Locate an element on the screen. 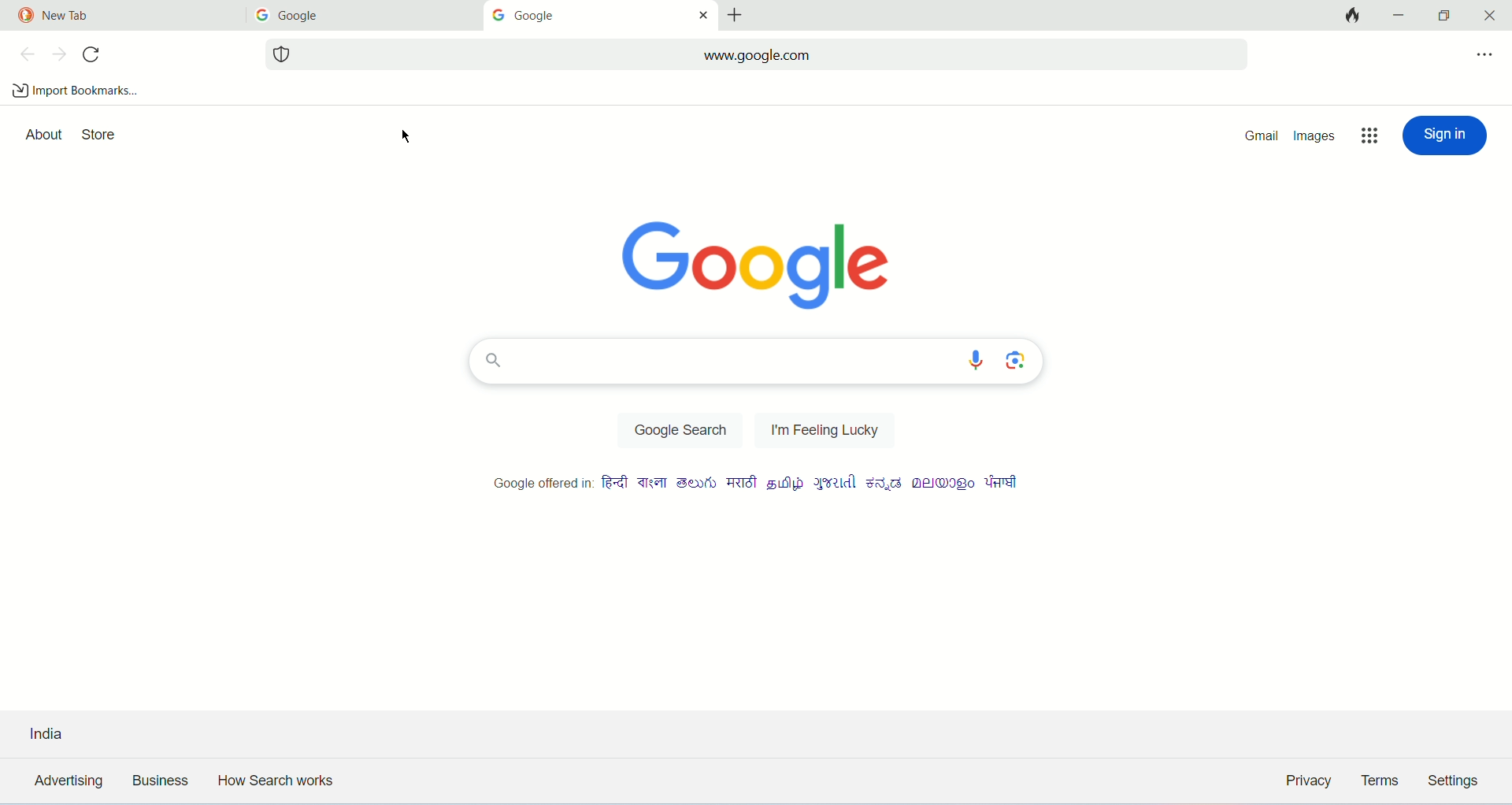 The height and width of the screenshot is (805, 1512). more options is located at coordinates (1484, 55).